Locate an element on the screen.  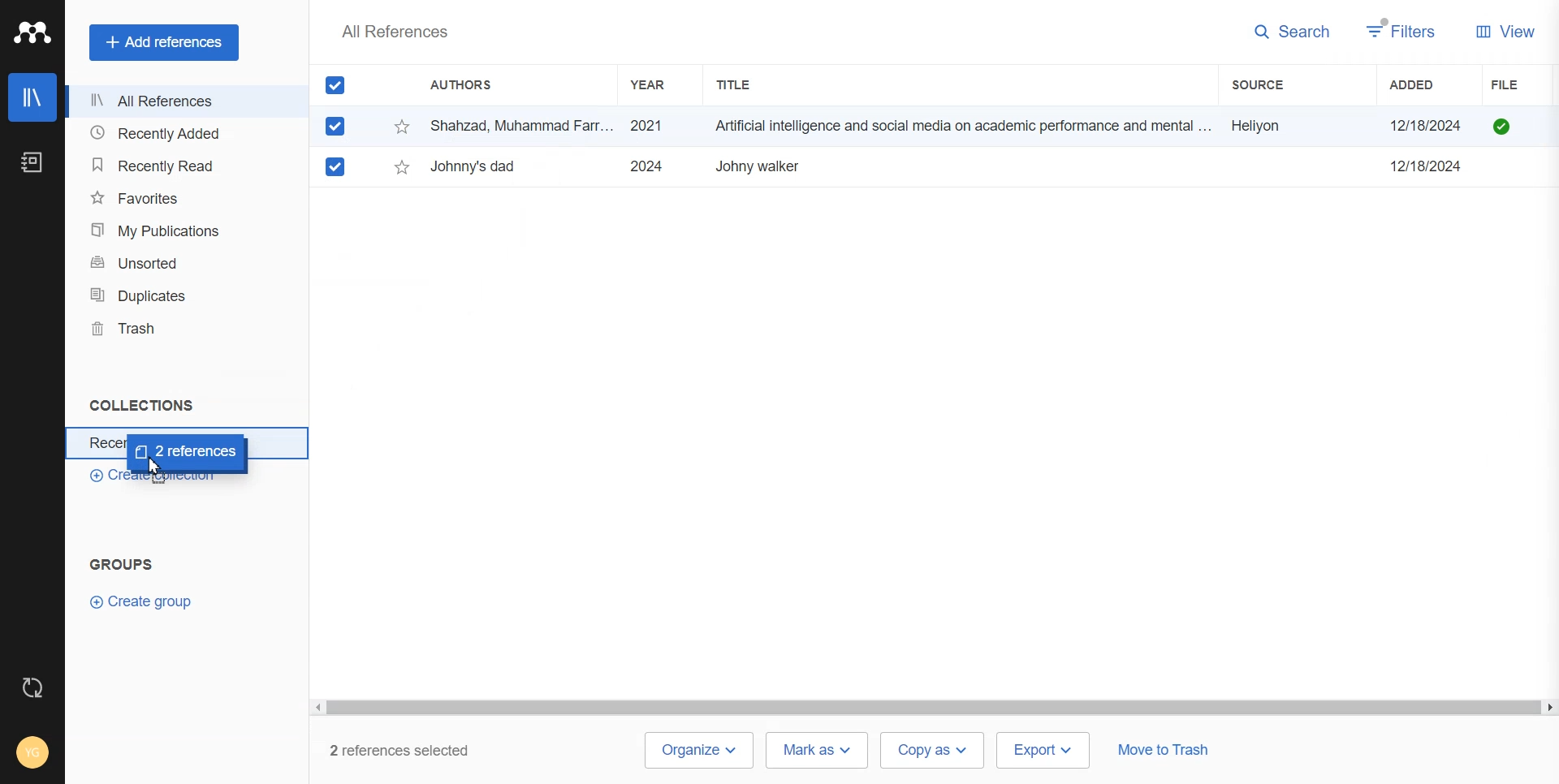
All Marks is located at coordinates (335, 84).